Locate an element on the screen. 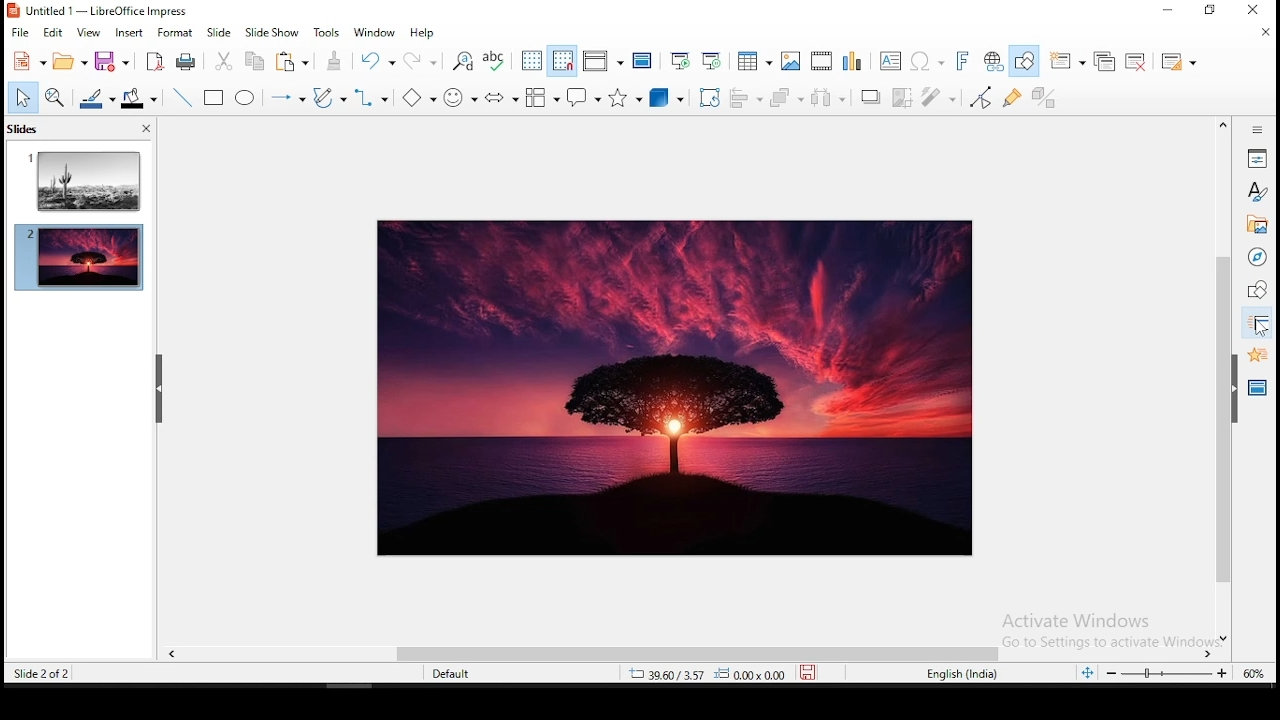 The image size is (1280, 720). symbol shapes is located at coordinates (459, 99).